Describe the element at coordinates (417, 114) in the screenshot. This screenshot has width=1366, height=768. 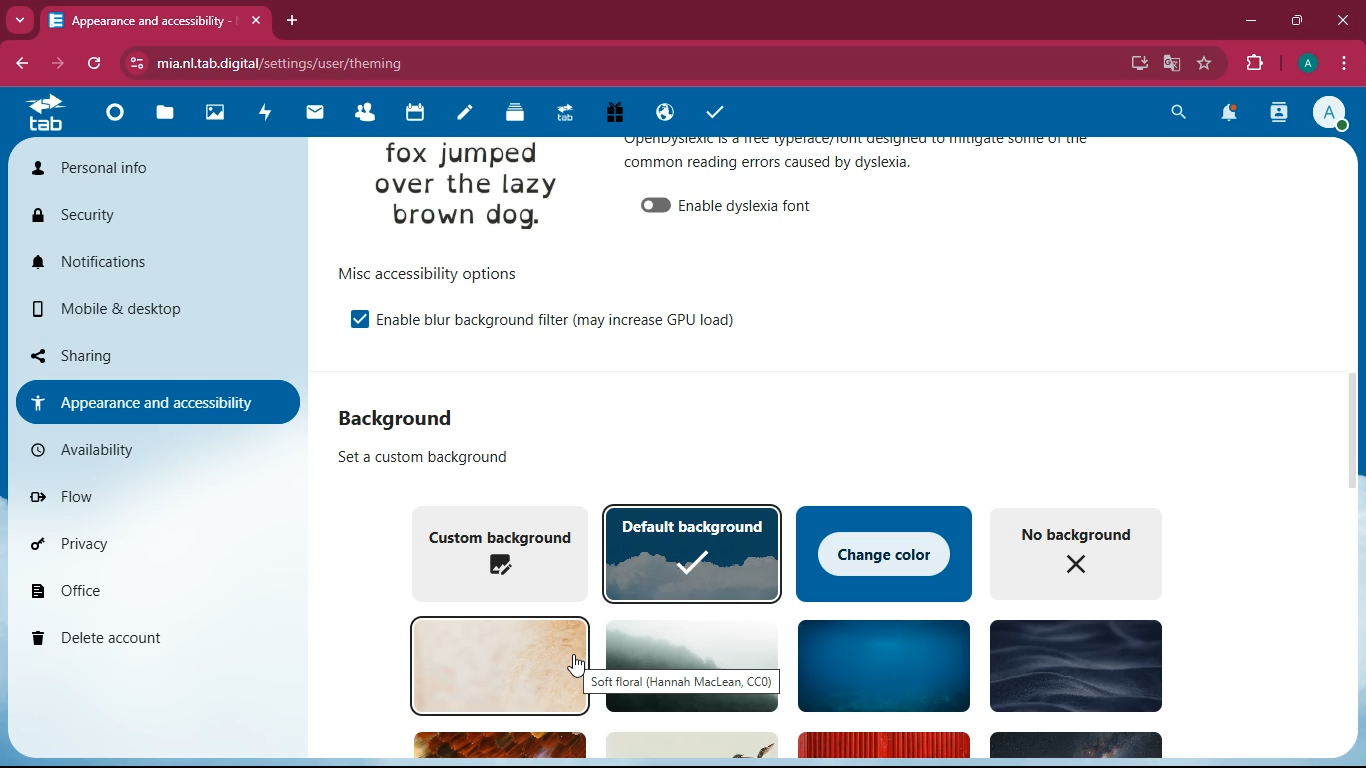
I see `calendar` at that location.